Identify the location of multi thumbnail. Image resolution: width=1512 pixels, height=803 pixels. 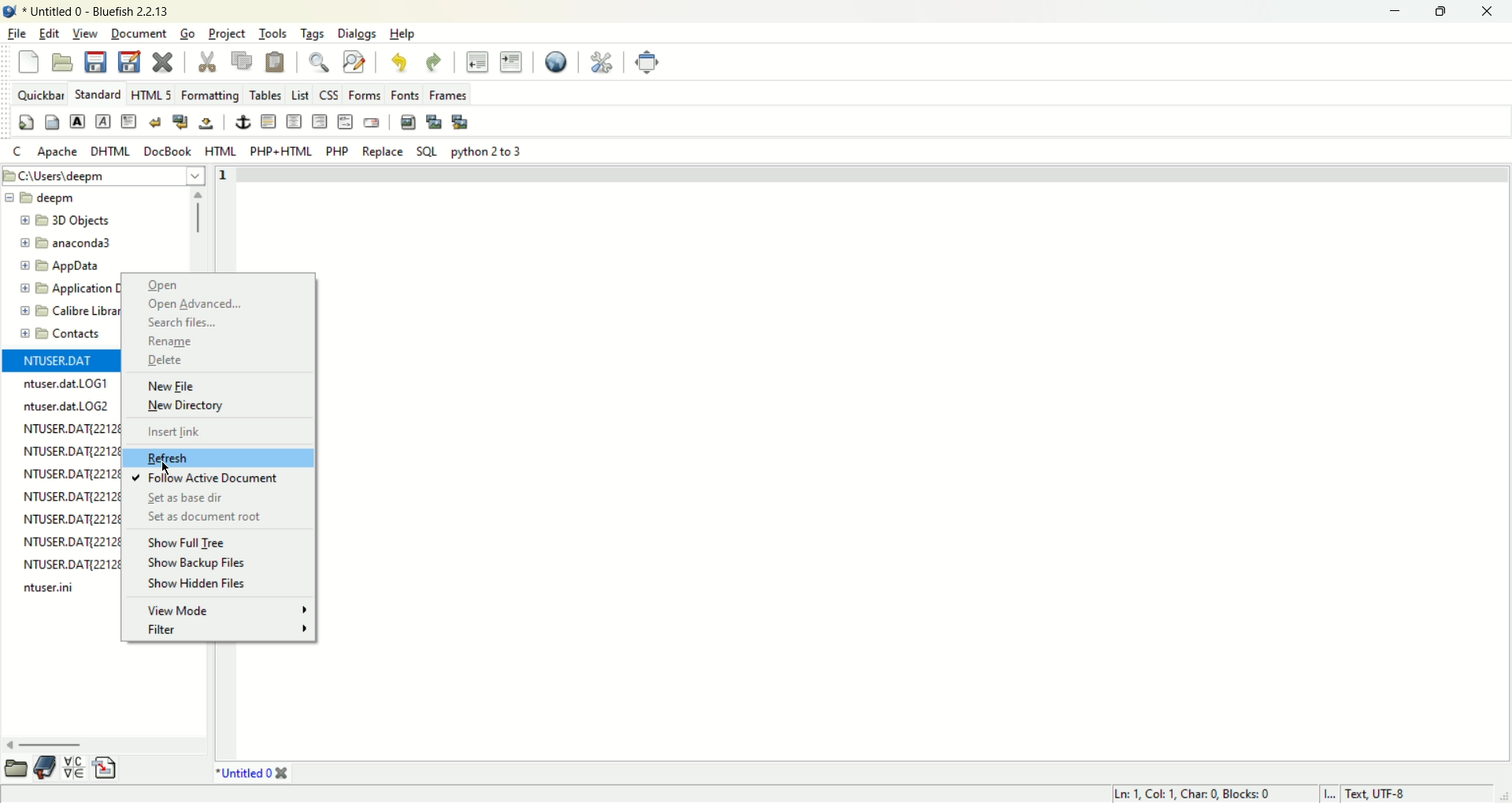
(462, 122).